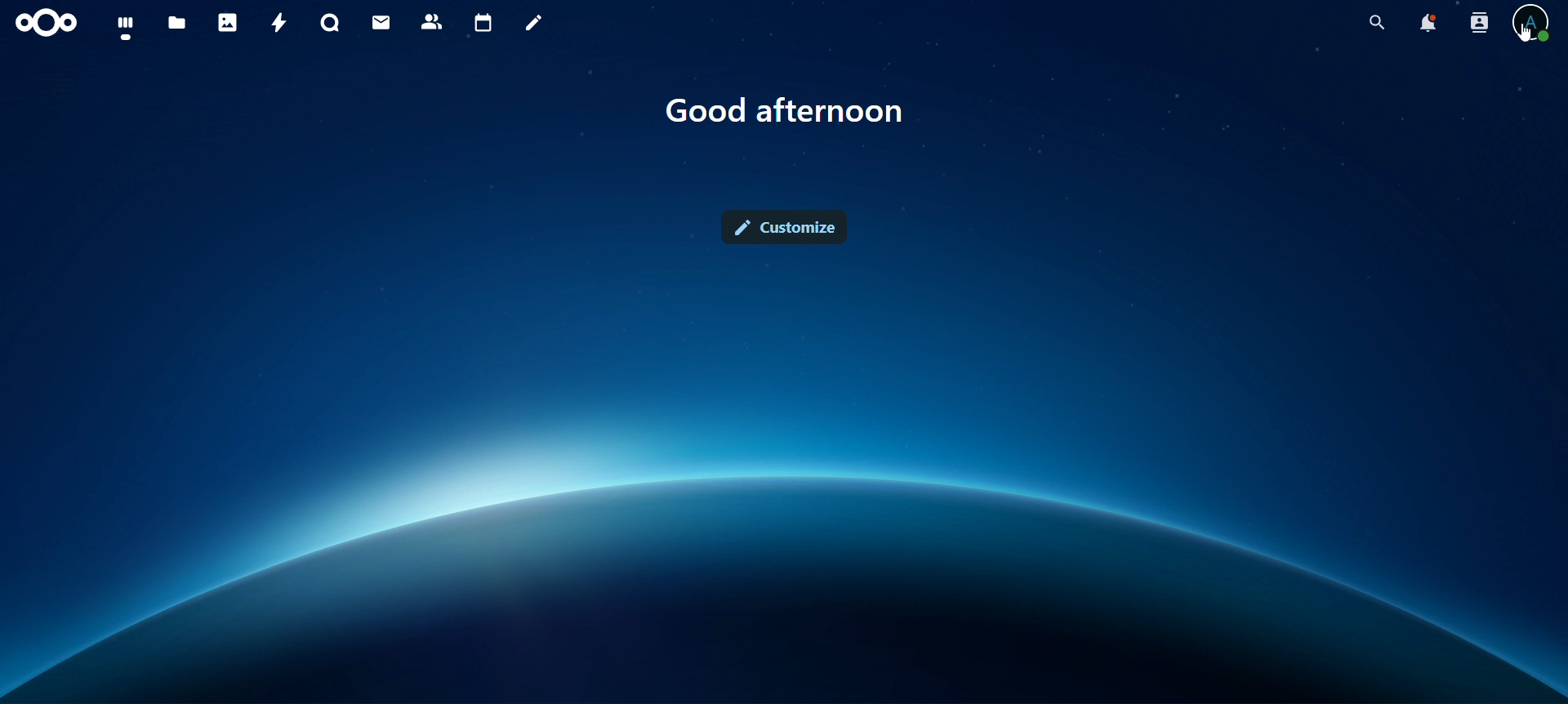  I want to click on calendar, so click(485, 25).